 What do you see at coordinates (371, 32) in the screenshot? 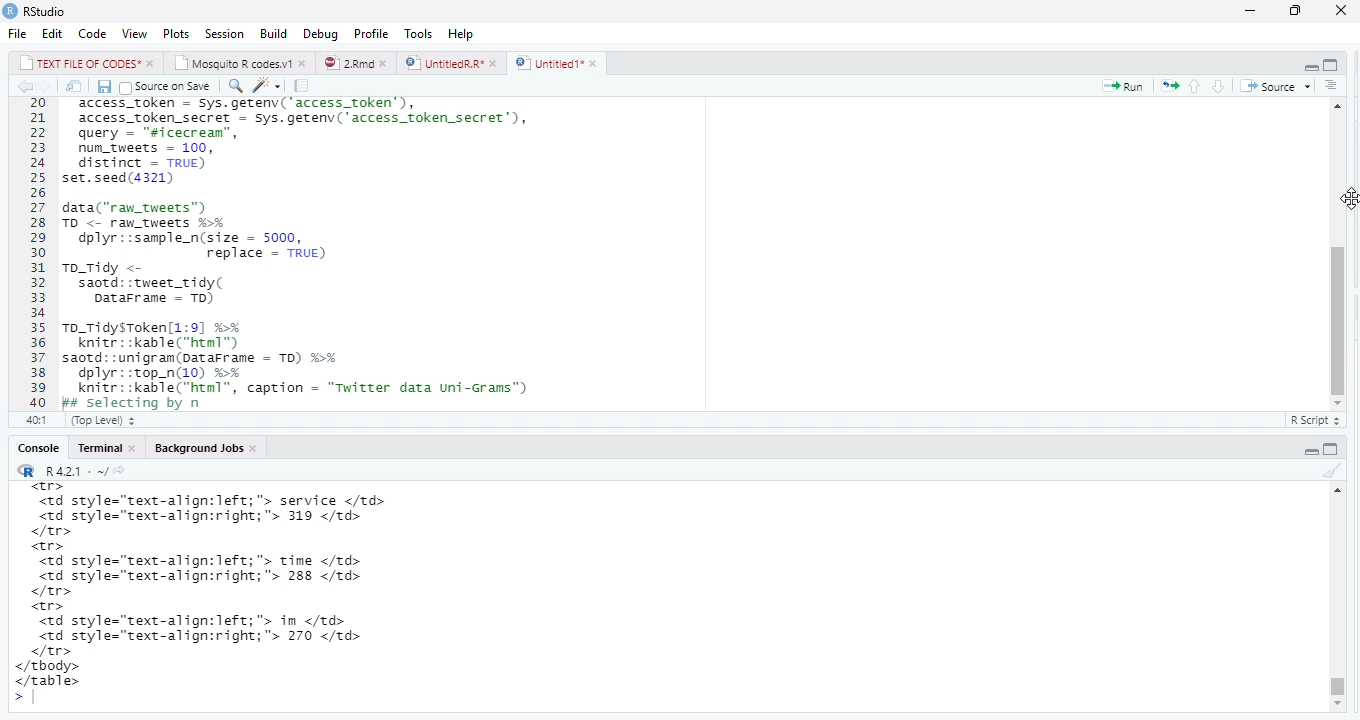
I see `Profile` at bounding box center [371, 32].